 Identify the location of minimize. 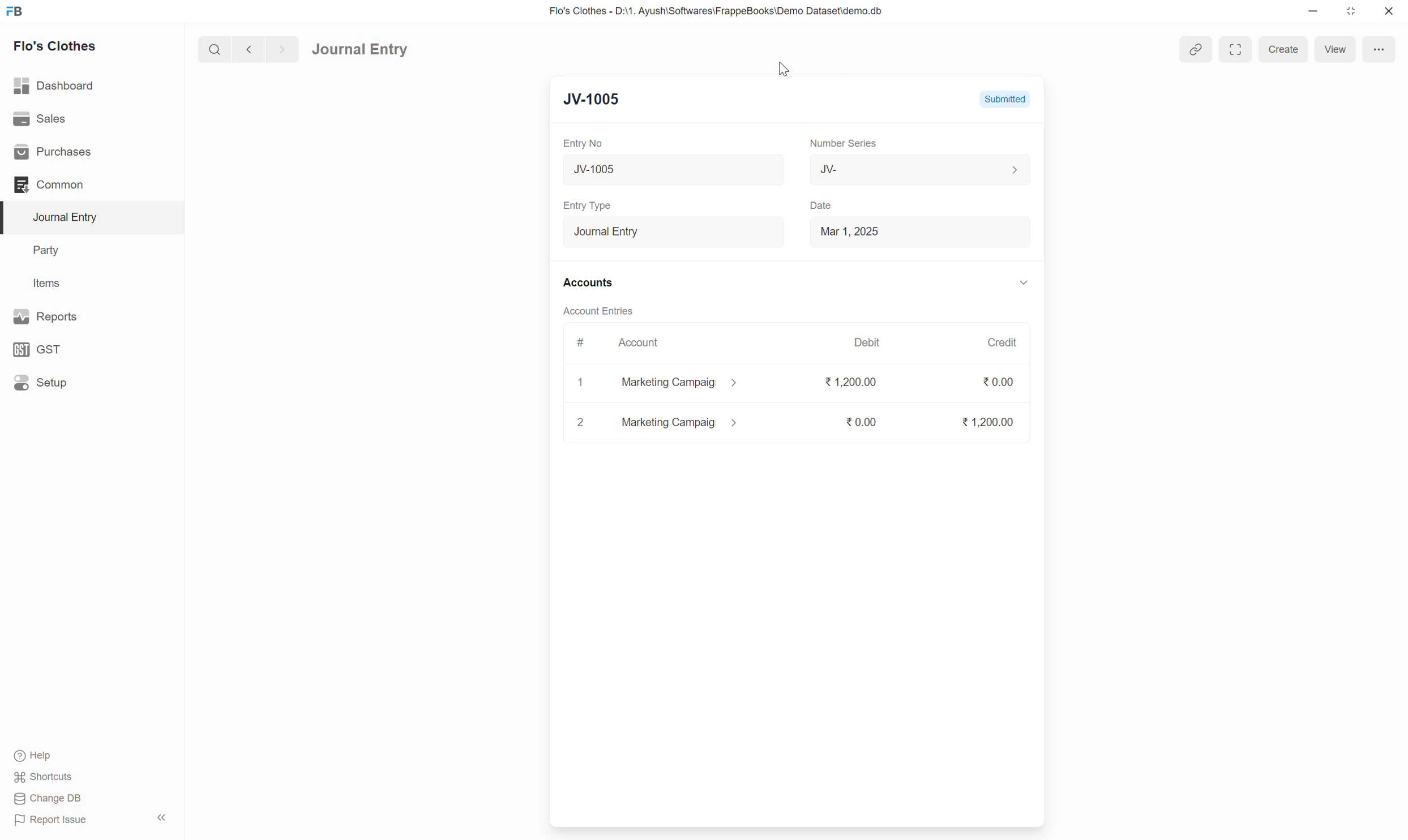
(1313, 12).